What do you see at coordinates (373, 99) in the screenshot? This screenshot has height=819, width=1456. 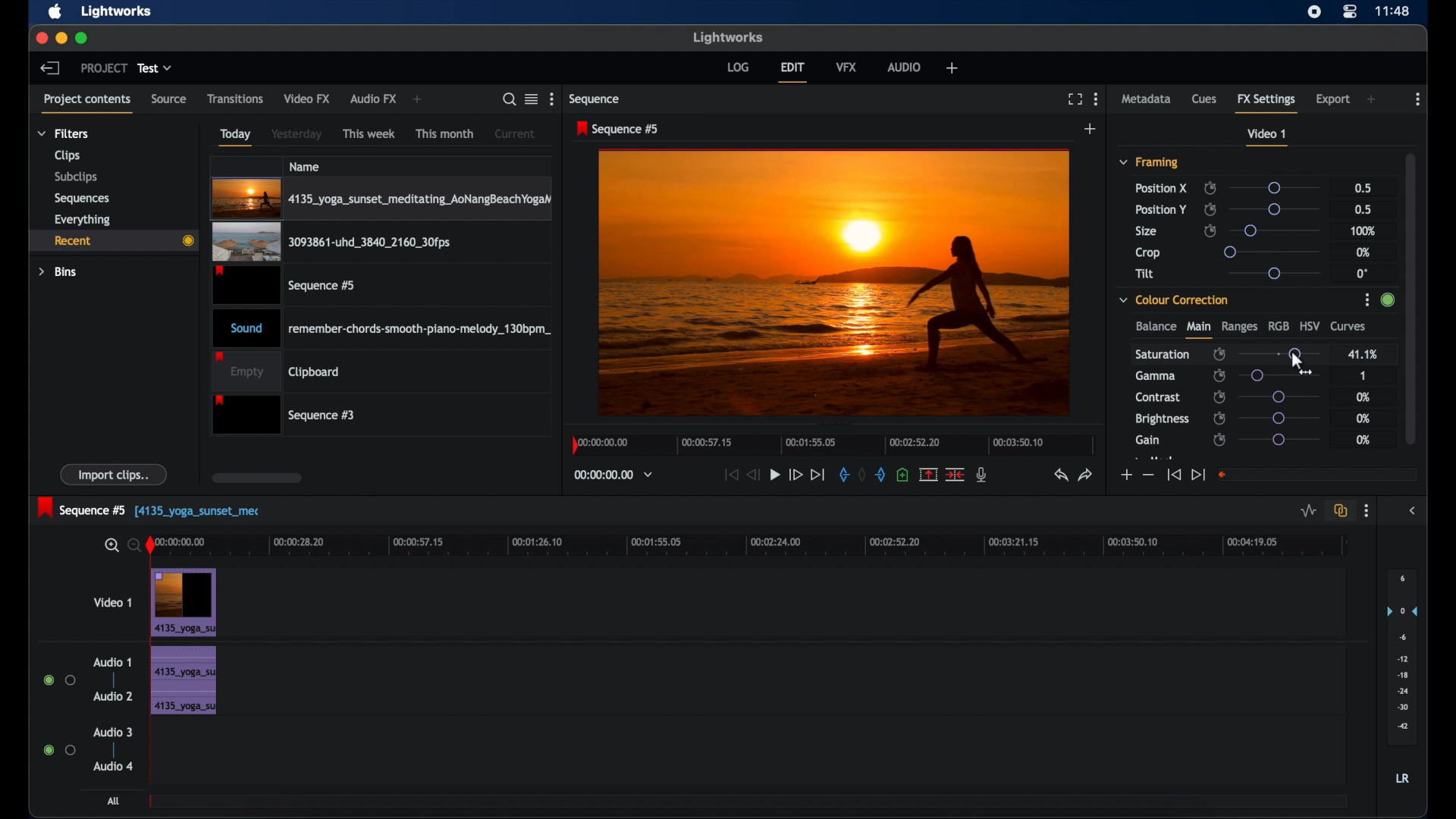 I see `audio fx` at bounding box center [373, 99].